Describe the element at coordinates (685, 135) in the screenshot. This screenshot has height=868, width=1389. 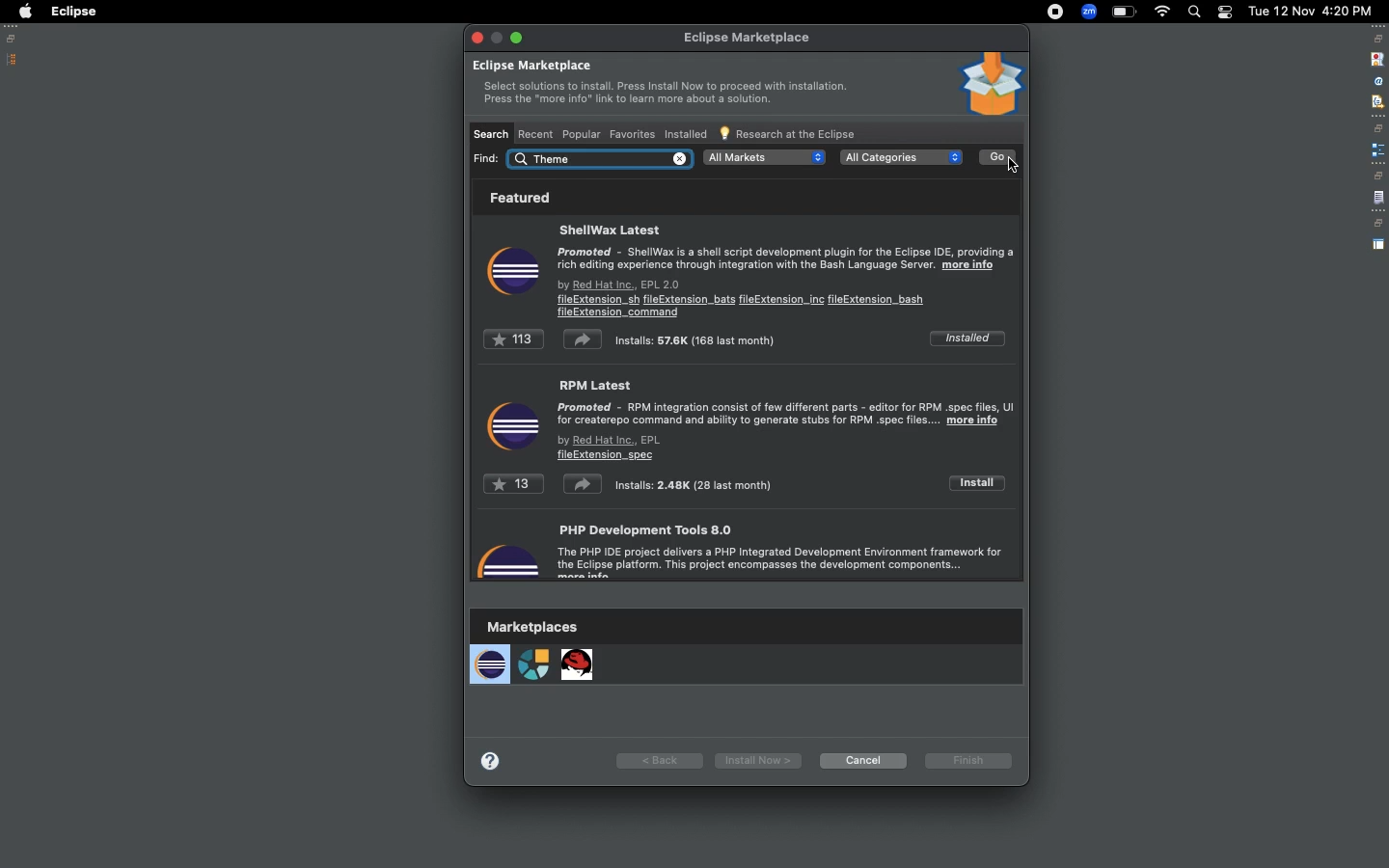
I see `Installed` at that location.